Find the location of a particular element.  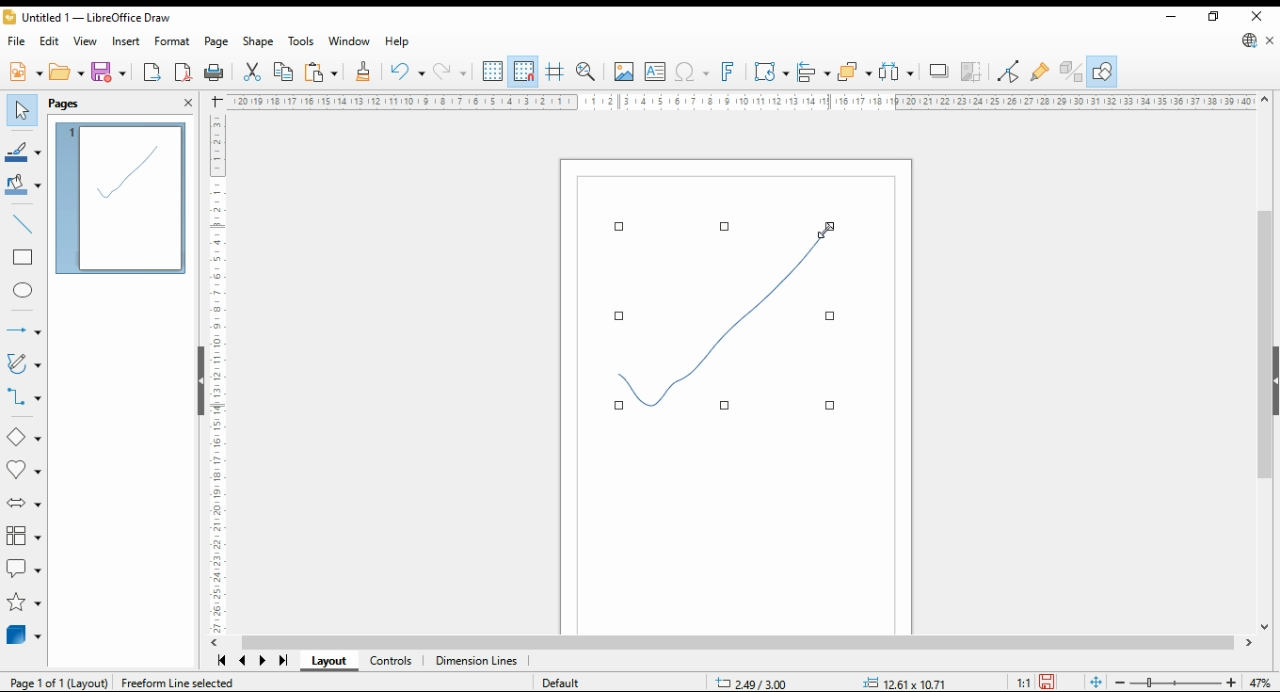

connectors is located at coordinates (22, 399).